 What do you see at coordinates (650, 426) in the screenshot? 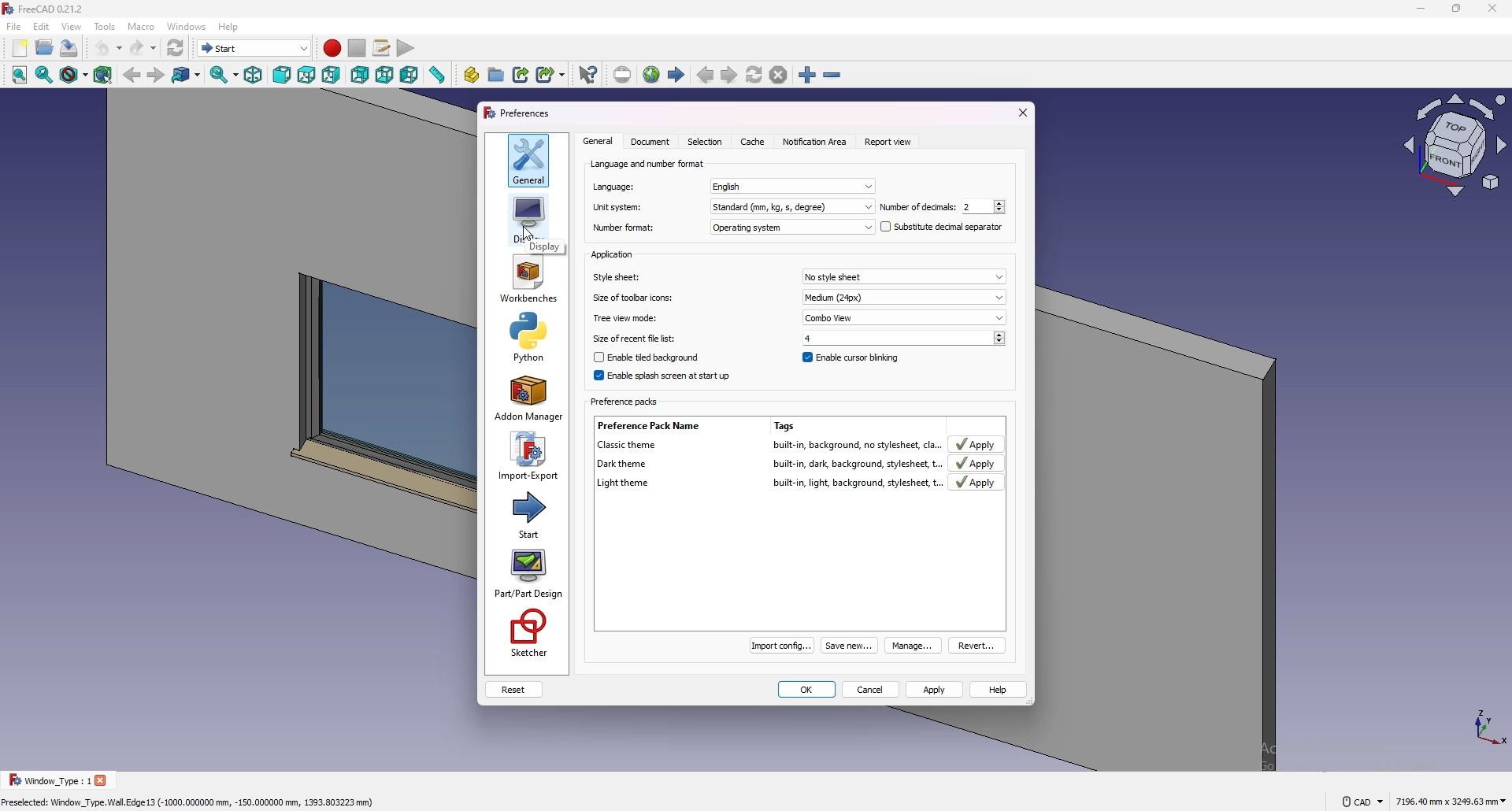
I see `Preference Pack Name` at bounding box center [650, 426].